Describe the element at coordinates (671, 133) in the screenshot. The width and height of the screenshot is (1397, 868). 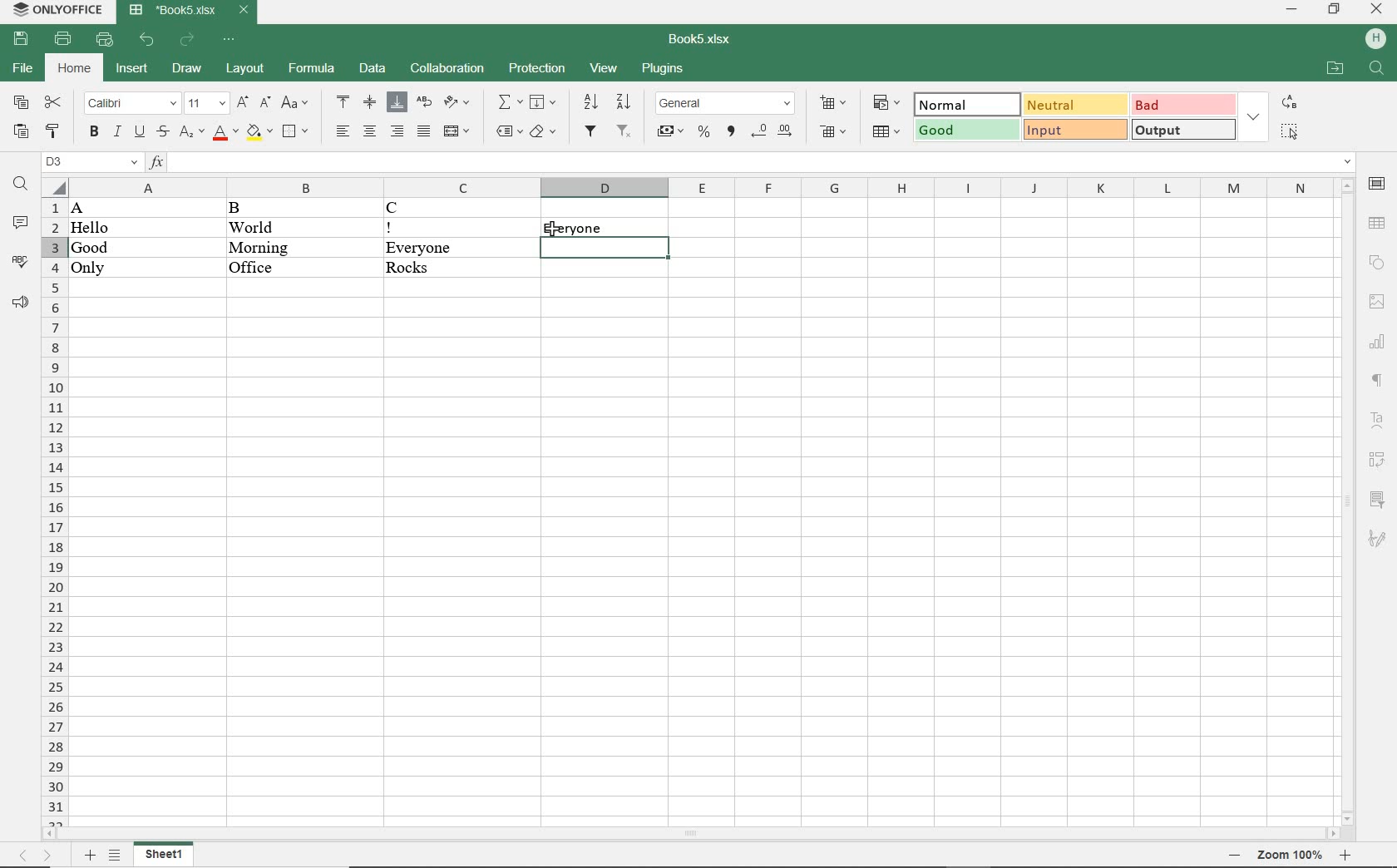
I see `accounting style` at that location.